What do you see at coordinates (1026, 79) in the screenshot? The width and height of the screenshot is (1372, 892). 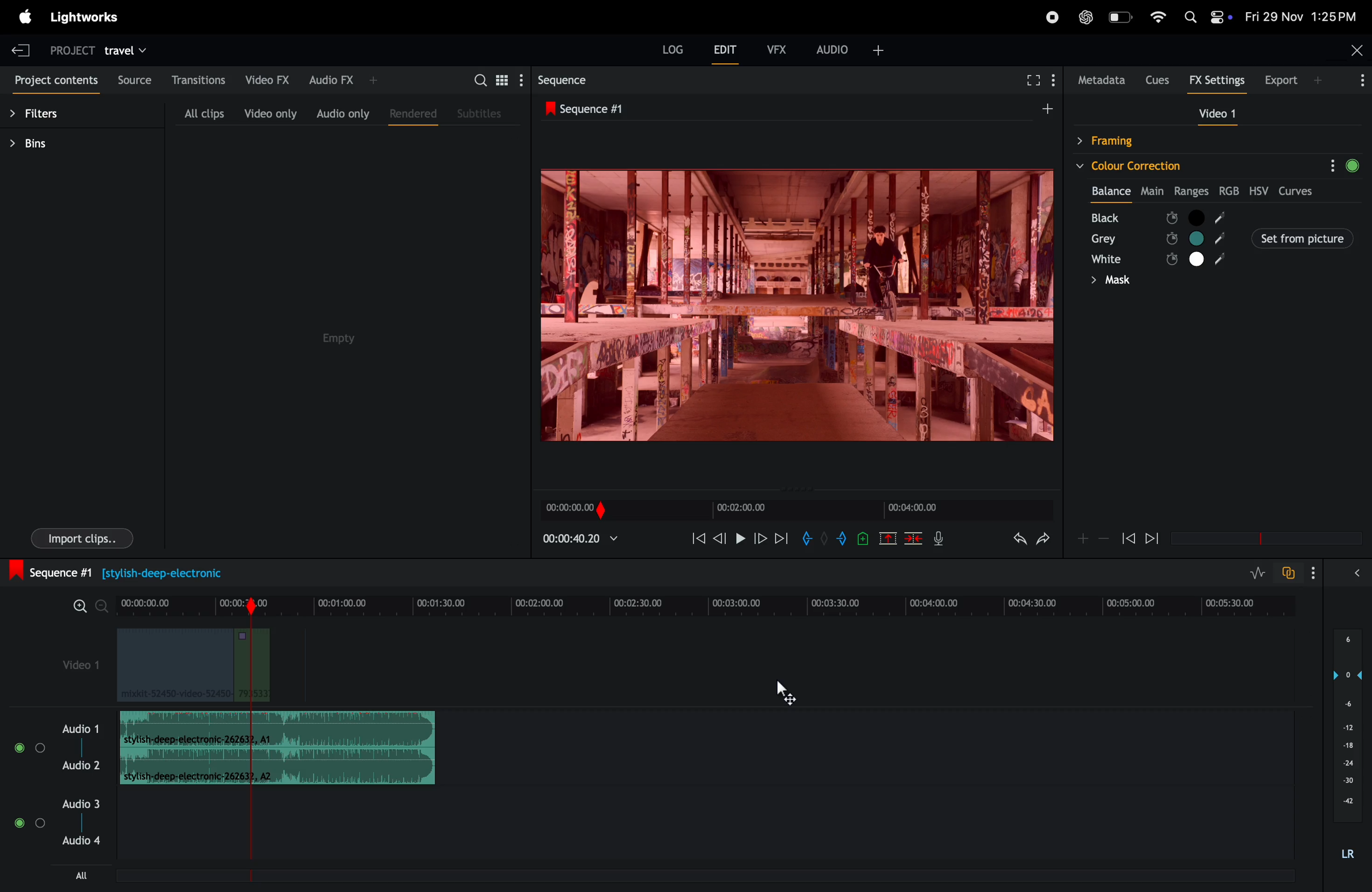 I see `fullscreen` at bounding box center [1026, 79].